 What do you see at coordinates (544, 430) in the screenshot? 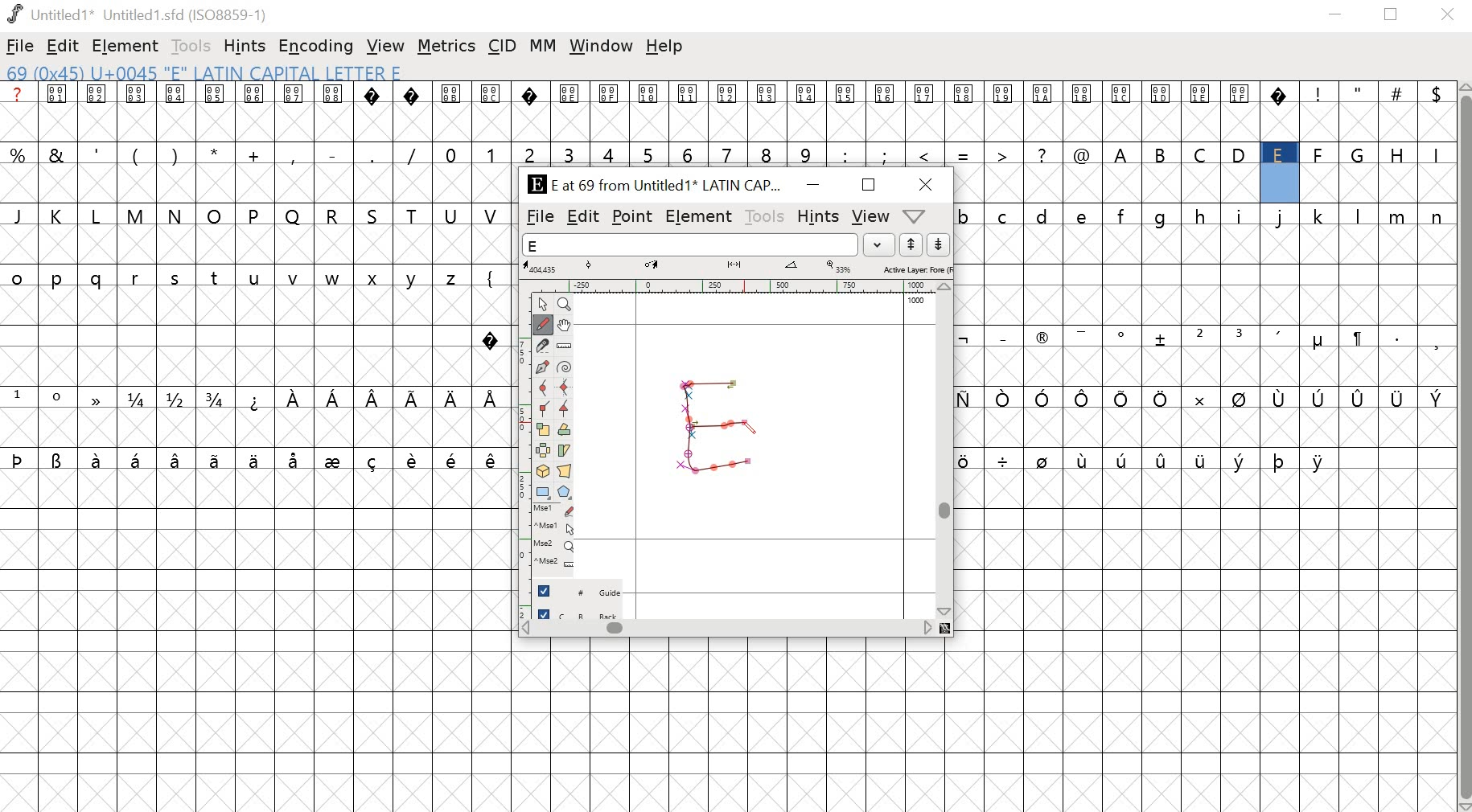
I see `Scale` at bounding box center [544, 430].